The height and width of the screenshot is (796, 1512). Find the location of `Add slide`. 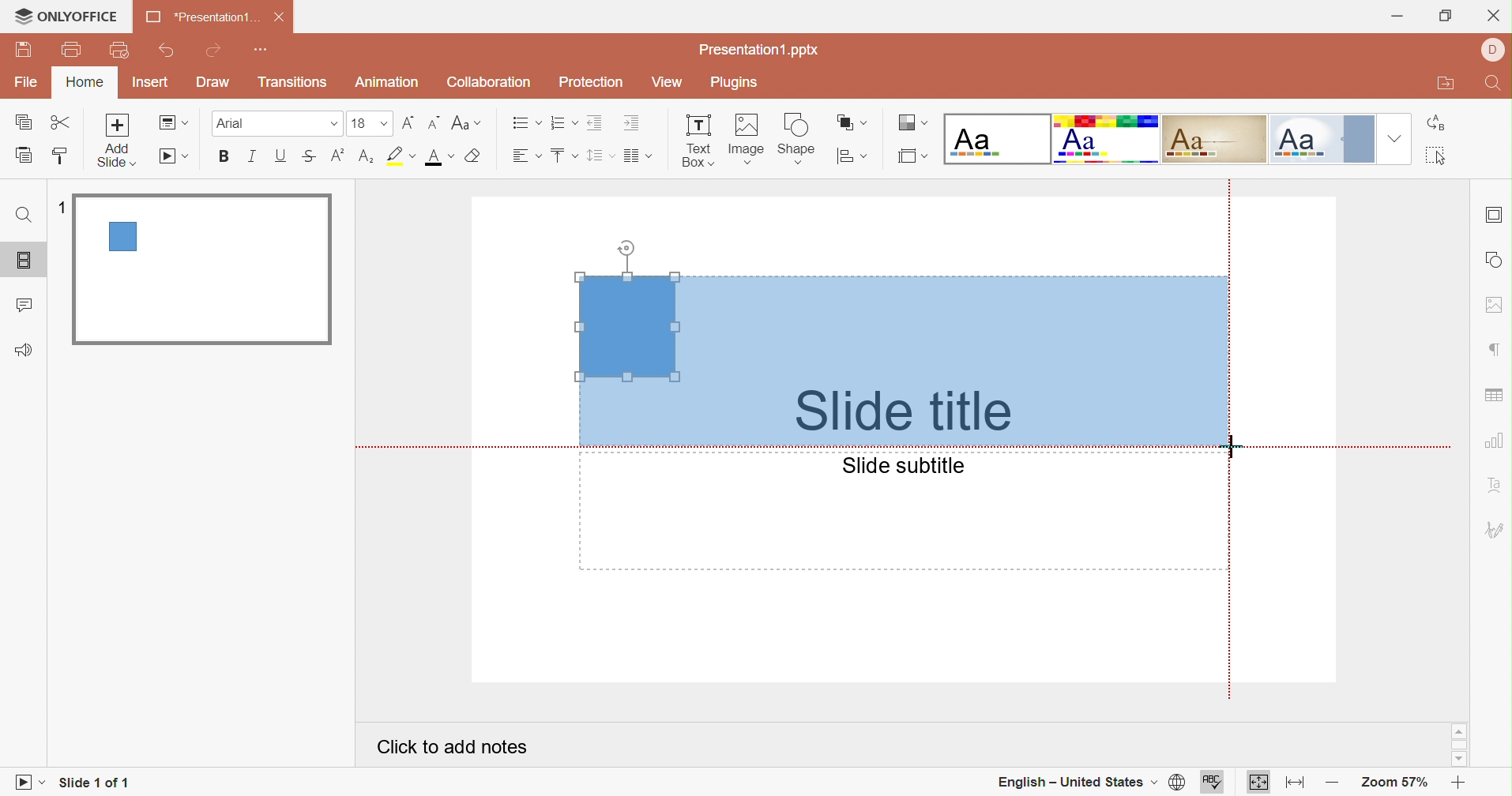

Add slide is located at coordinates (115, 139).